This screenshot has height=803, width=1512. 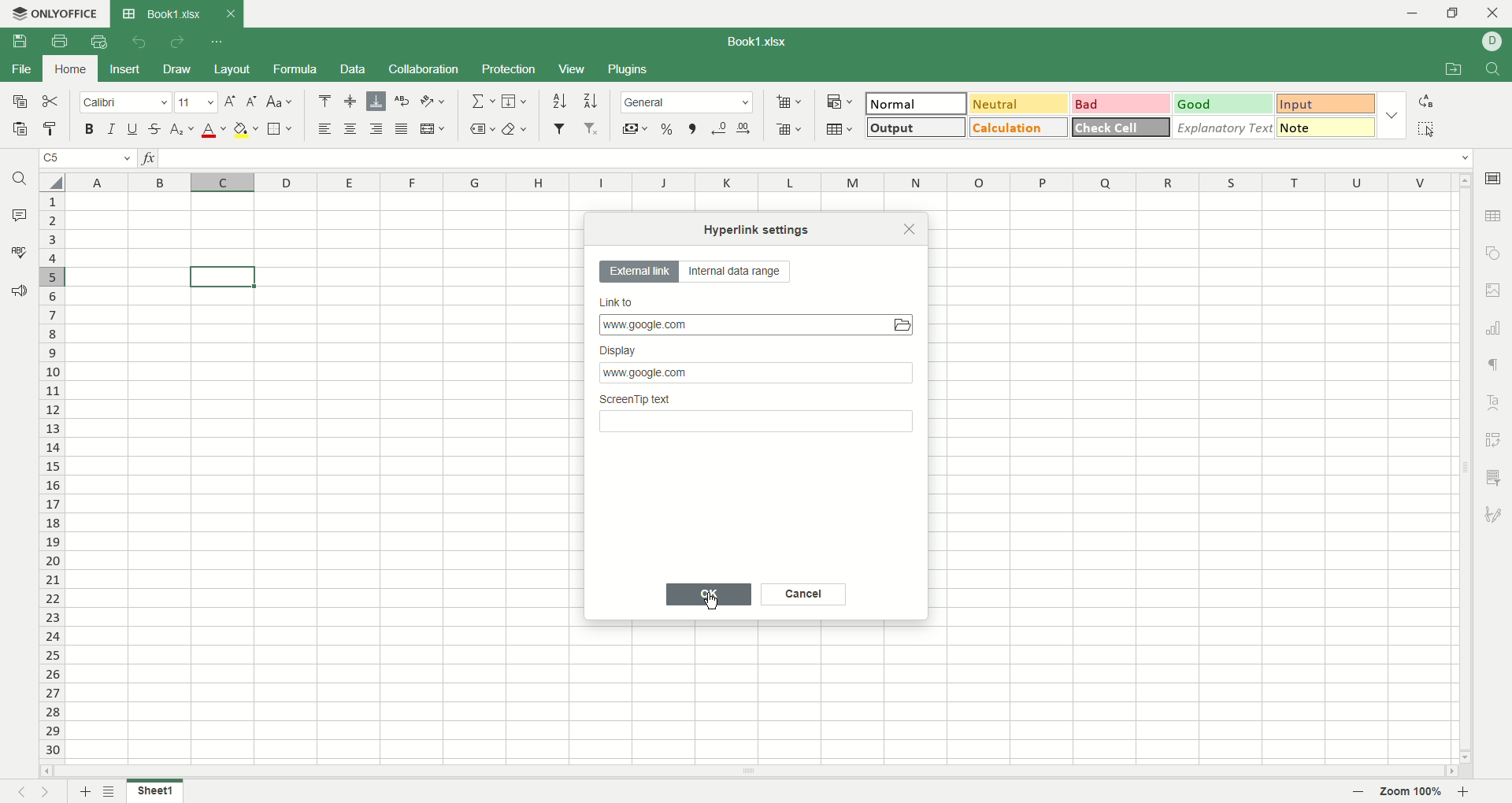 What do you see at coordinates (514, 102) in the screenshot?
I see `fill` at bounding box center [514, 102].